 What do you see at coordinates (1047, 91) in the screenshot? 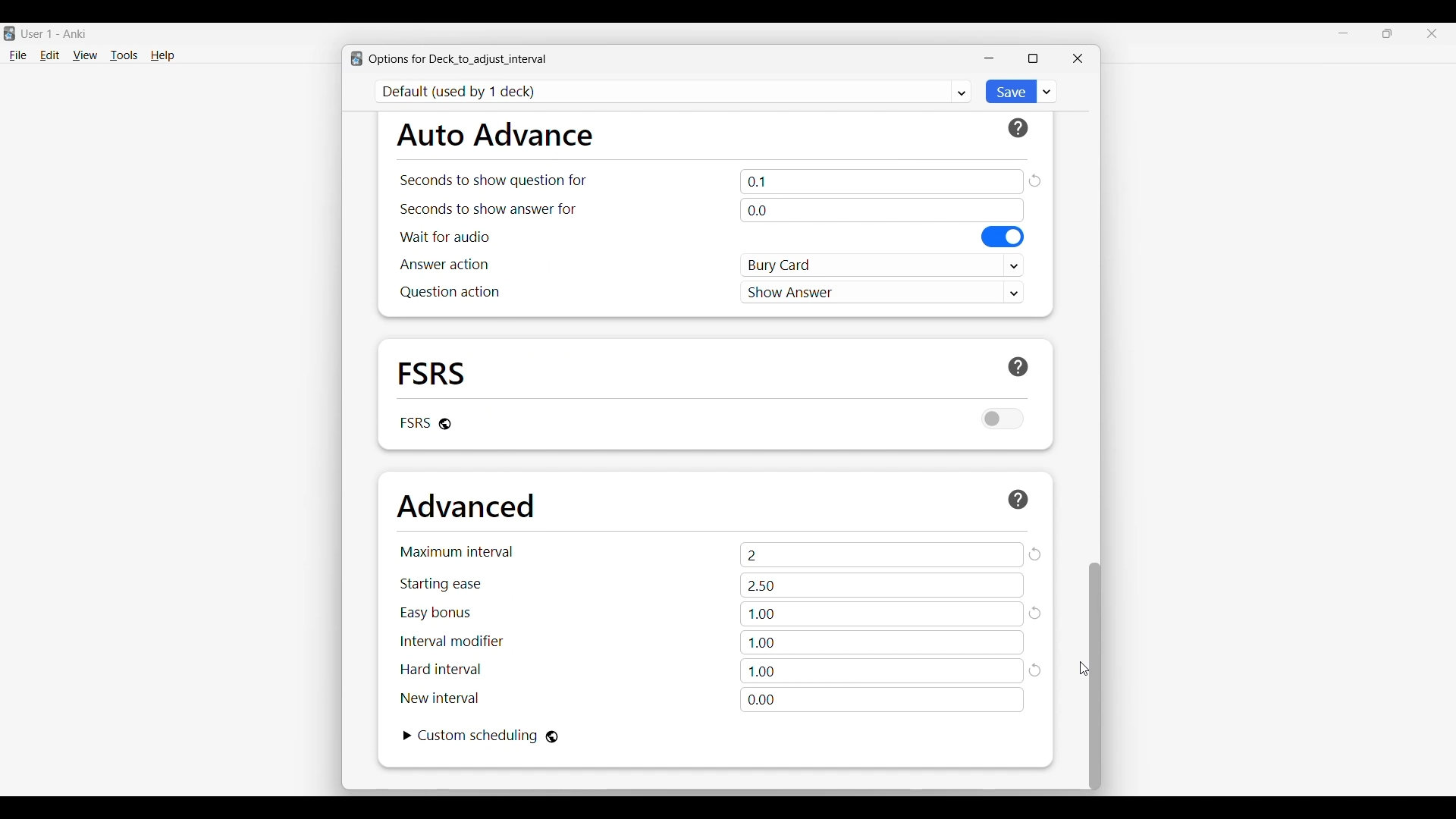
I see `Save and other options` at bounding box center [1047, 91].